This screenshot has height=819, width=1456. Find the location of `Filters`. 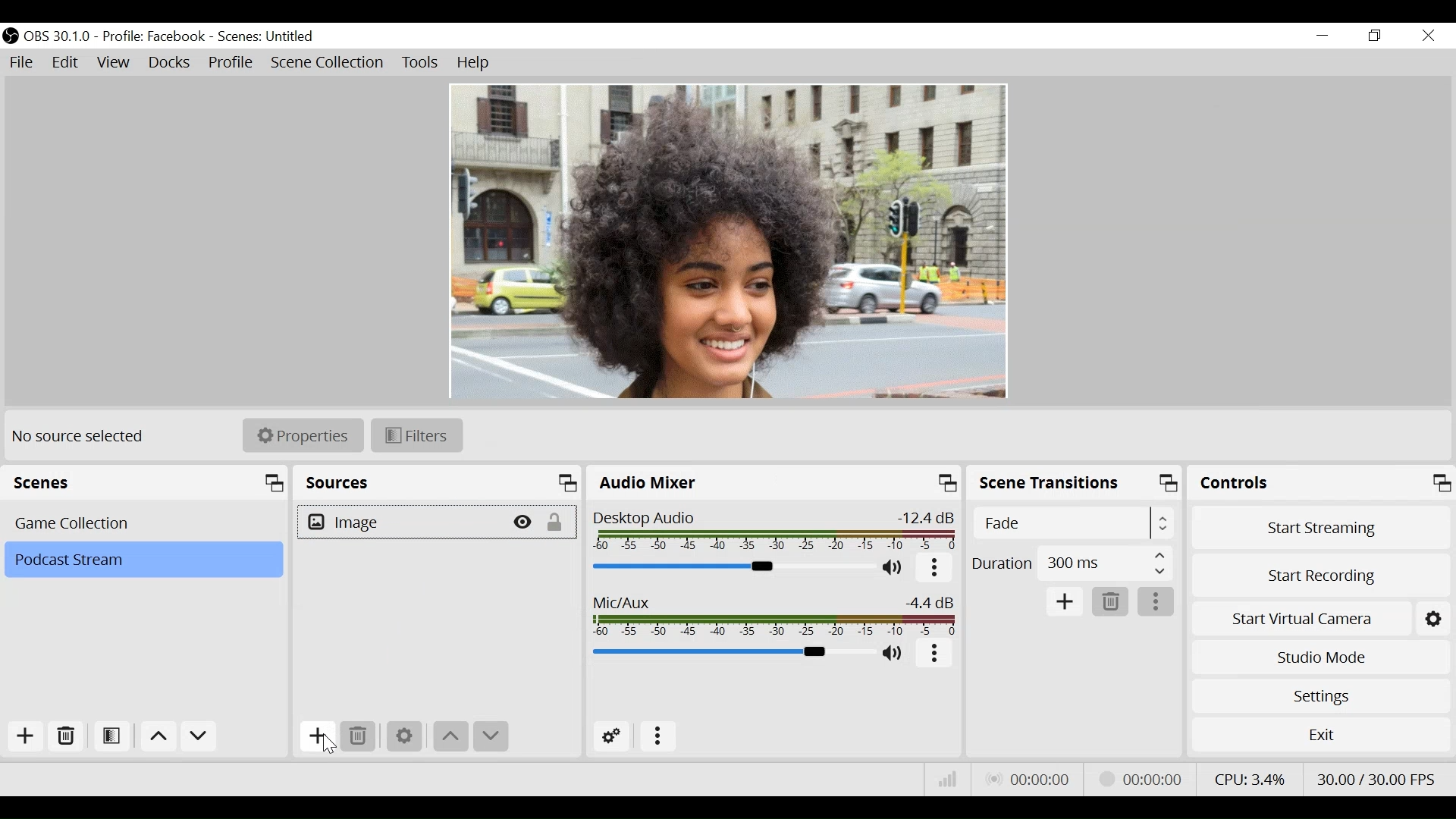

Filters is located at coordinates (416, 435).